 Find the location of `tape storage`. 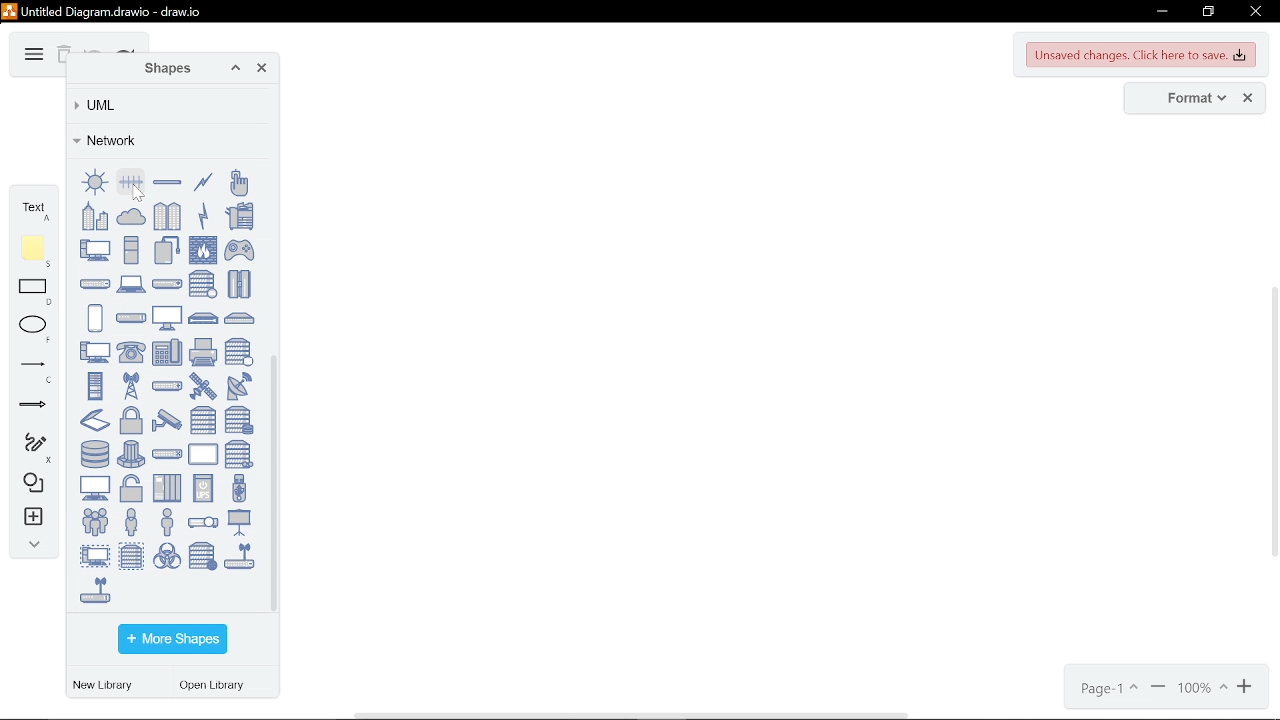

tape storage is located at coordinates (239, 454).